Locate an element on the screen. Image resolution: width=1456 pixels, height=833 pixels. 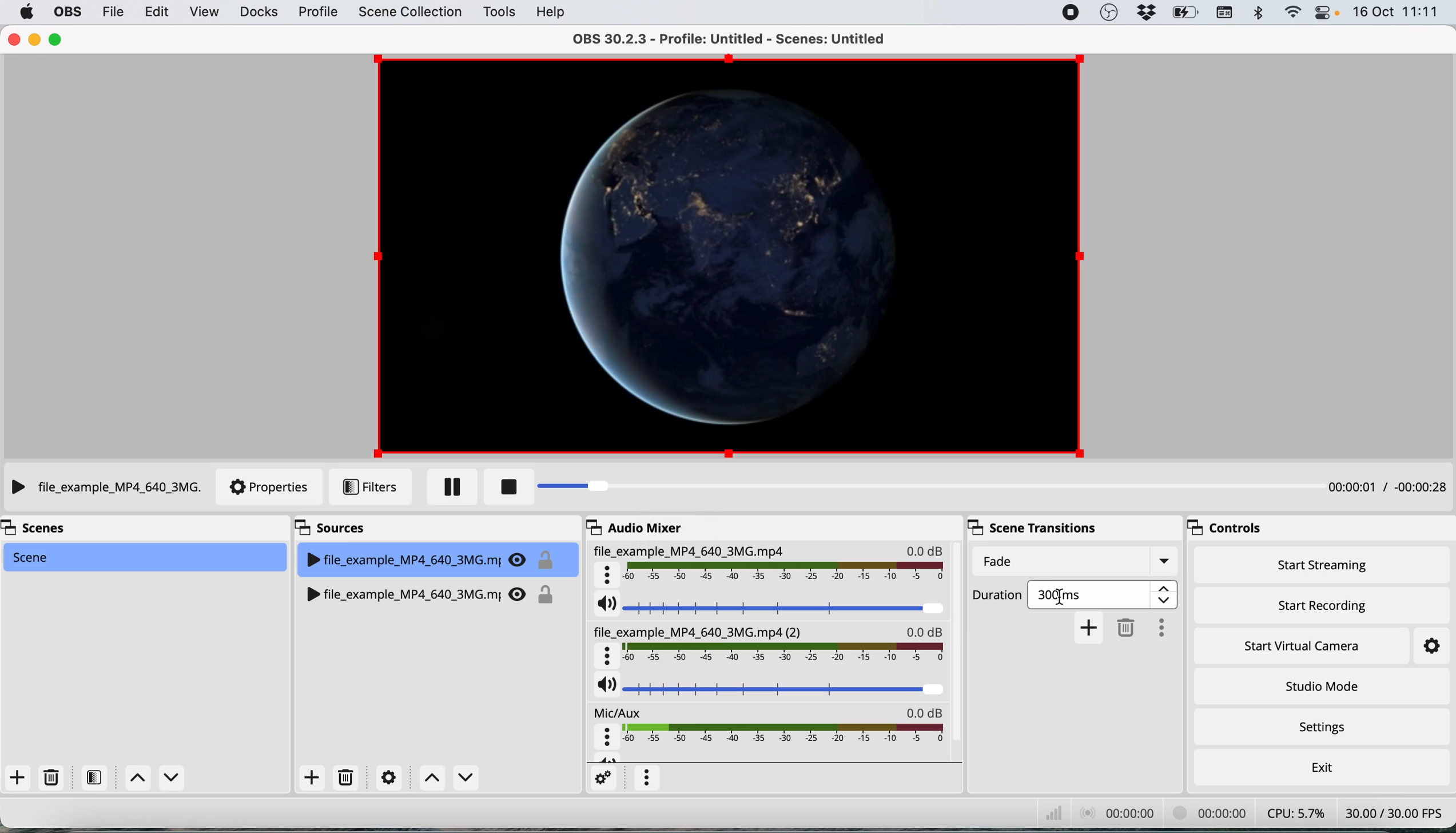
wifi is located at coordinates (1295, 13).